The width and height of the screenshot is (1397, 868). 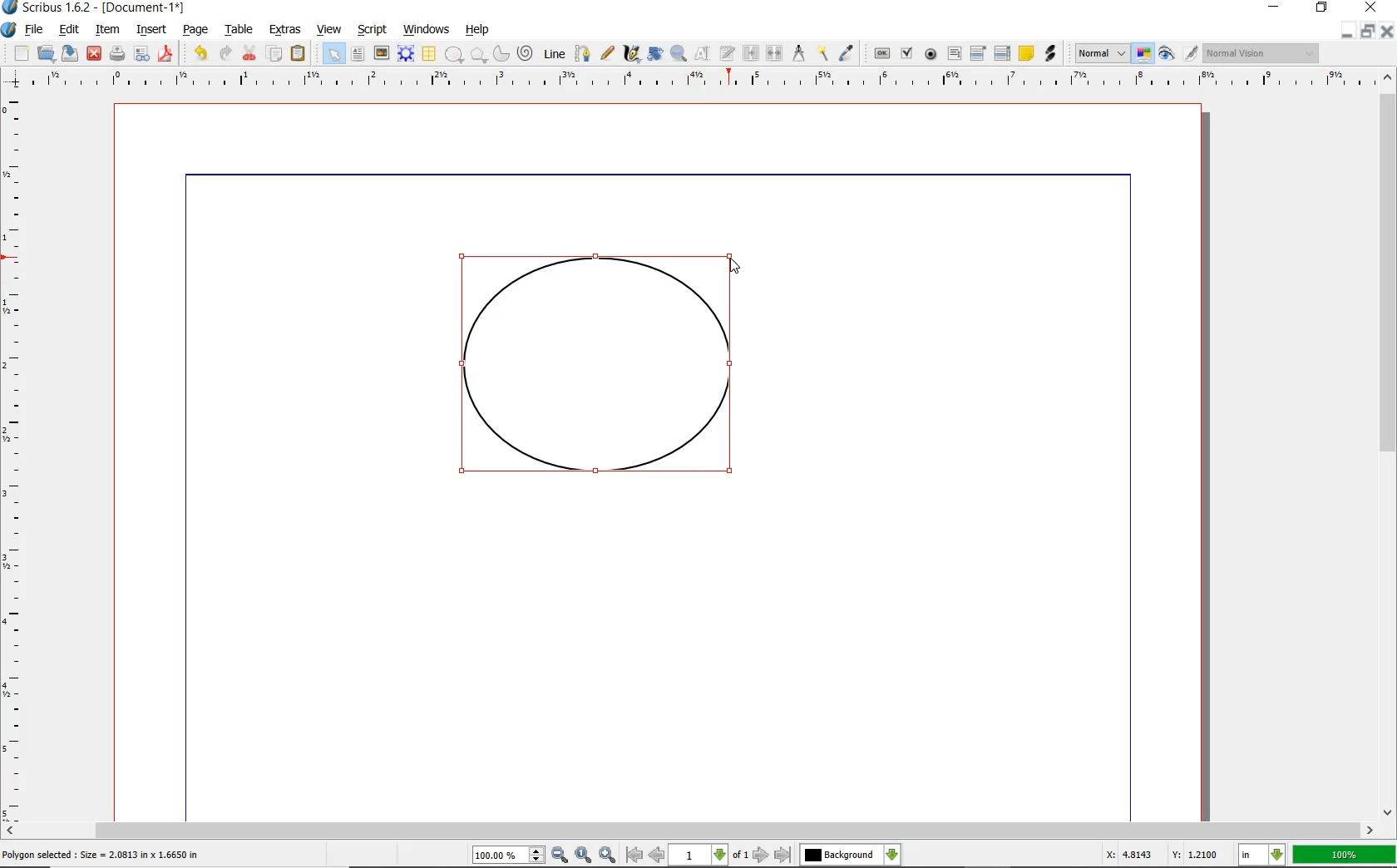 I want to click on select the current layer, so click(x=892, y=855).